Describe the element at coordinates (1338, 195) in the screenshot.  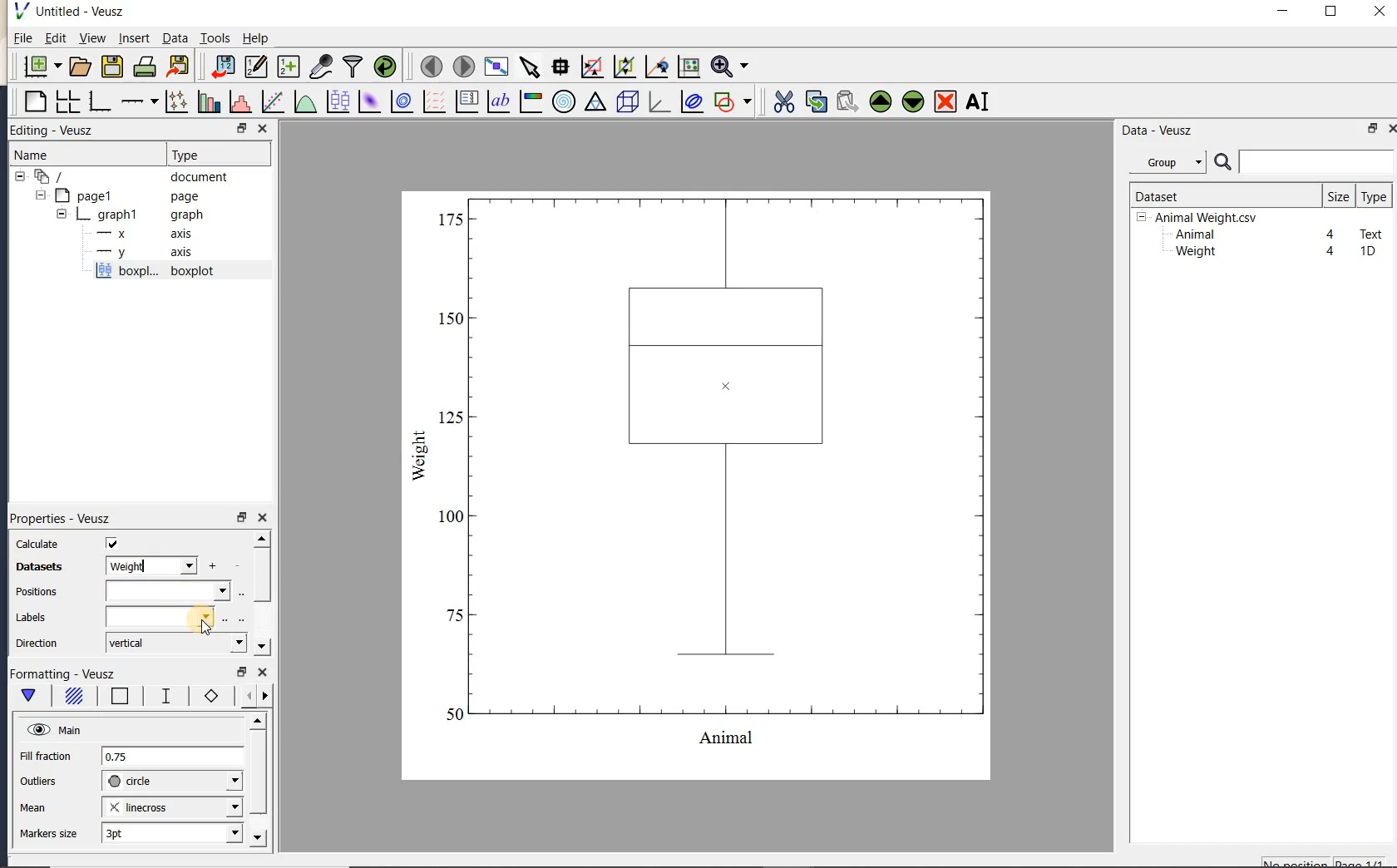
I see `size` at that location.